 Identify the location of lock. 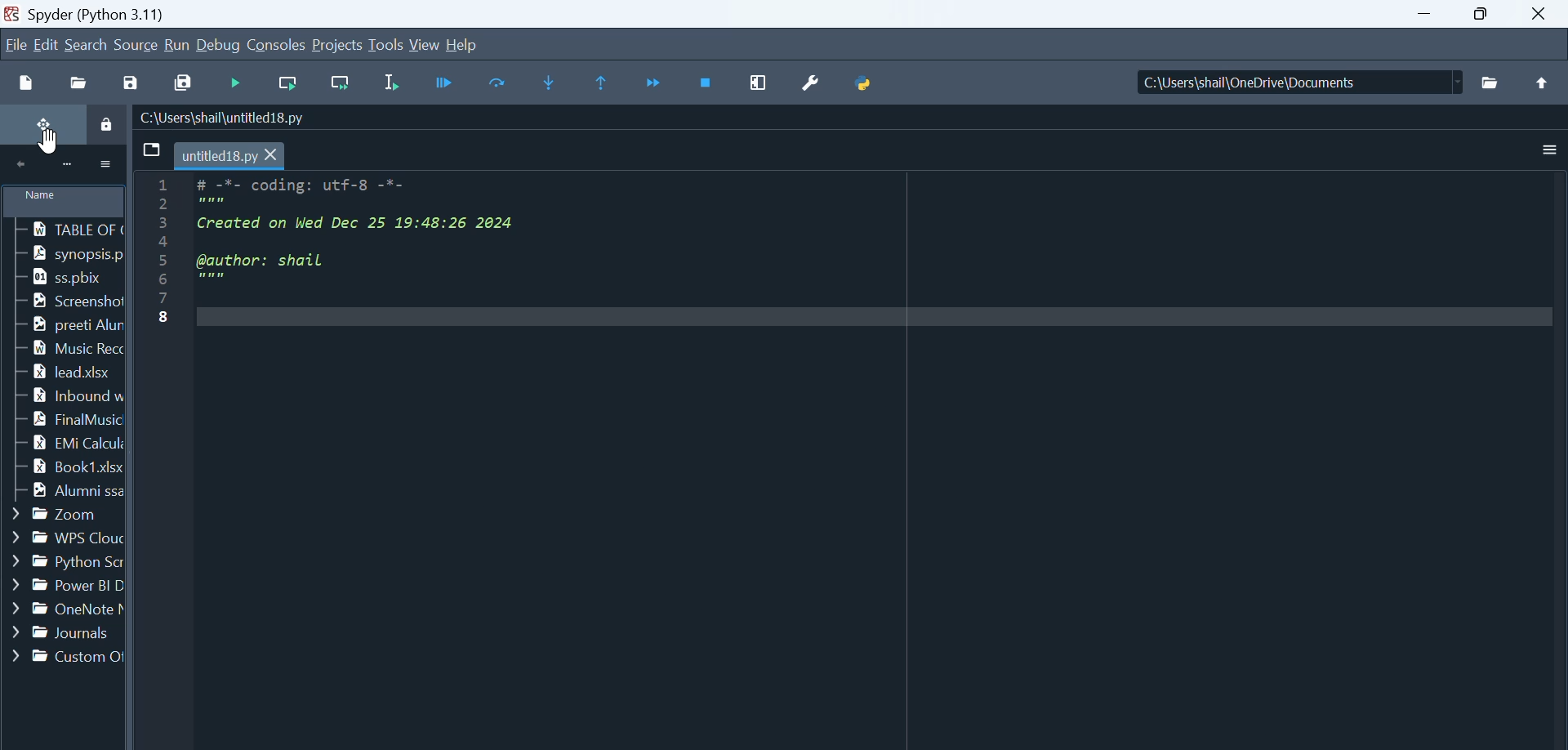
(104, 123).